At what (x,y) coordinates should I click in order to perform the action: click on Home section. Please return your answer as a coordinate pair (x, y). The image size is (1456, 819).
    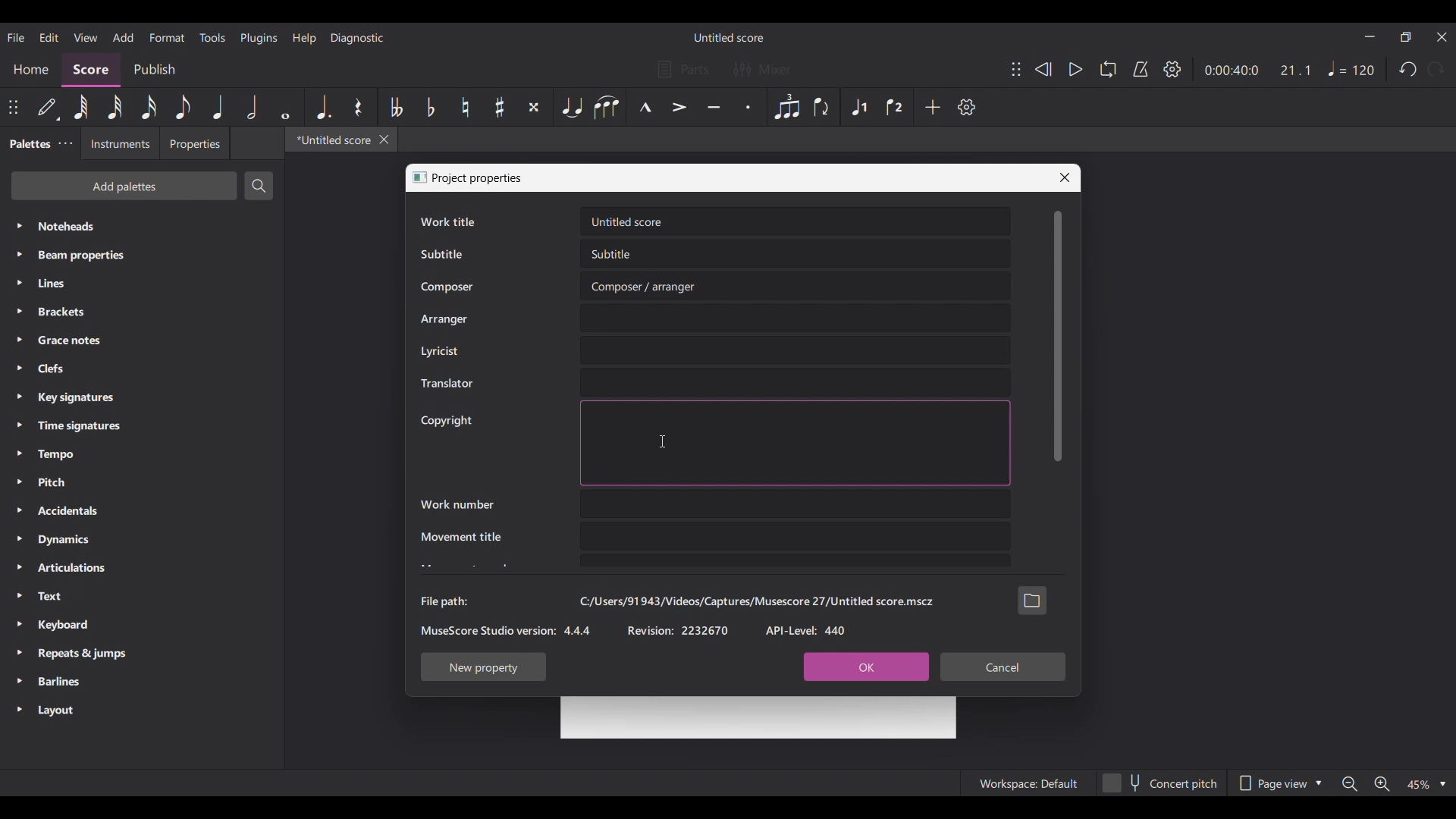
    Looking at the image, I should click on (30, 71).